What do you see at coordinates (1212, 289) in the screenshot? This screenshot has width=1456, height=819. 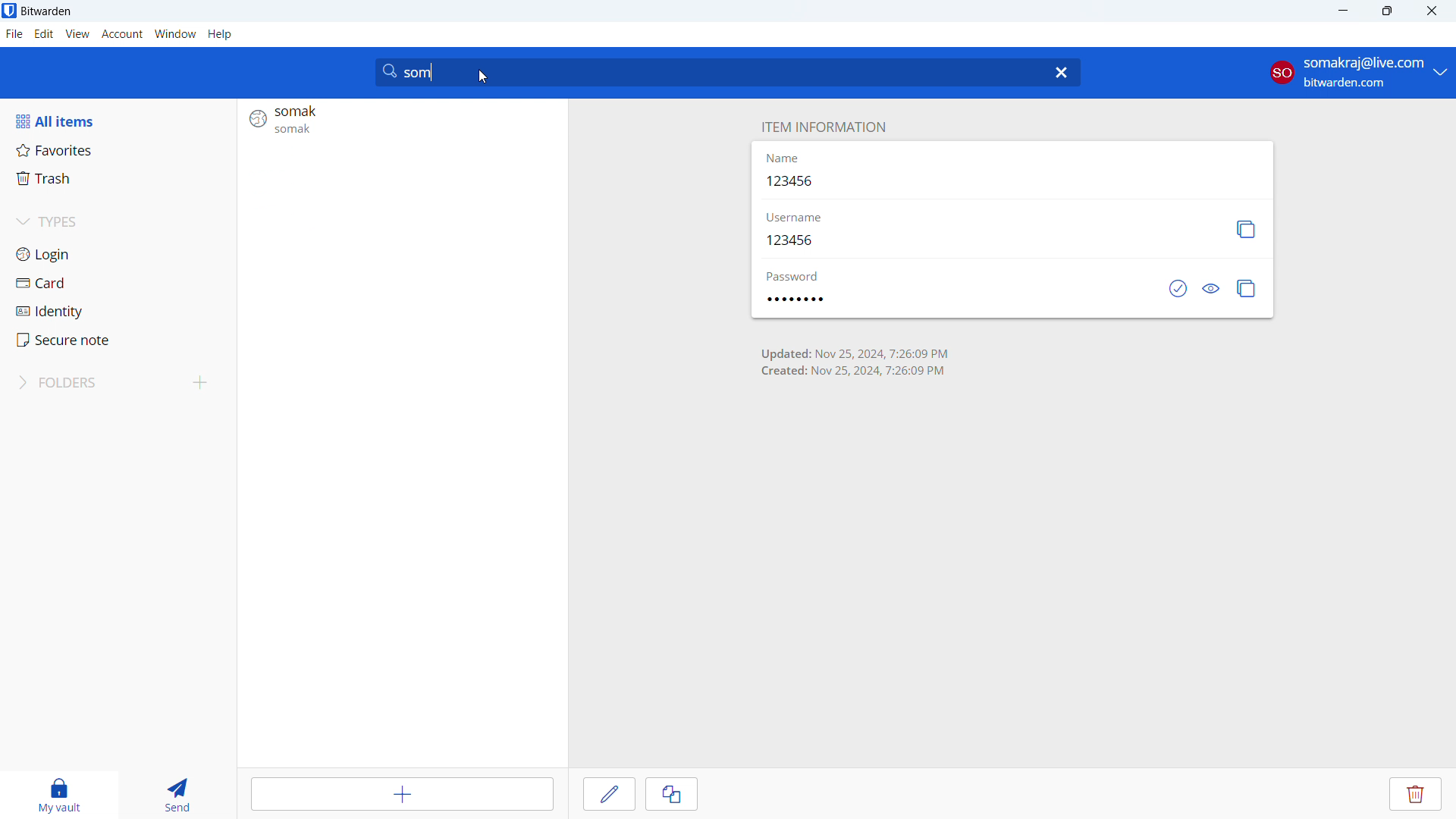 I see `toggle visibility` at bounding box center [1212, 289].